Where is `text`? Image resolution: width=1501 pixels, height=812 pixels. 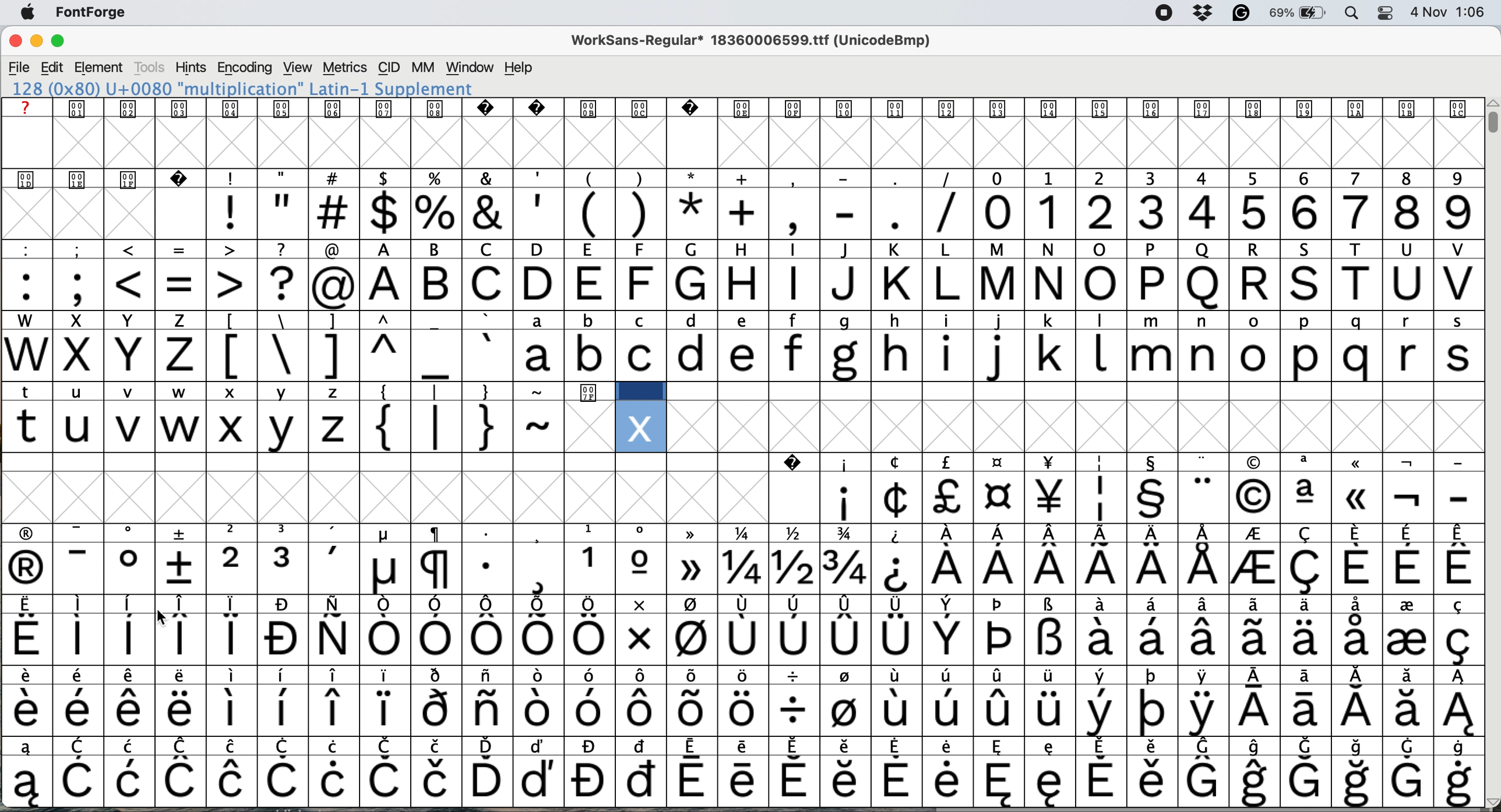 text is located at coordinates (738, 108).